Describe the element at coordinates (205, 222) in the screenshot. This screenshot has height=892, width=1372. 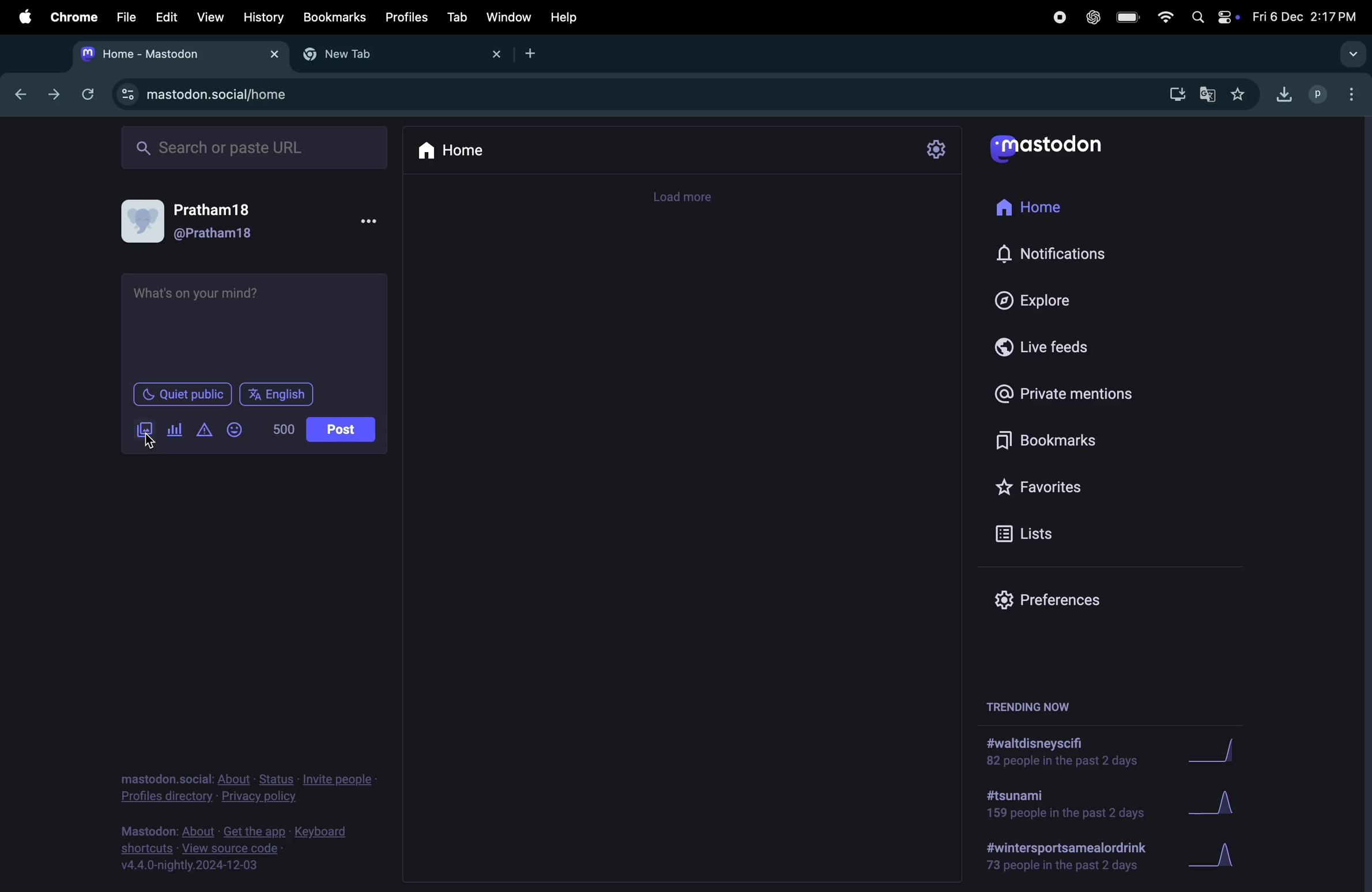
I see `user profile` at that location.